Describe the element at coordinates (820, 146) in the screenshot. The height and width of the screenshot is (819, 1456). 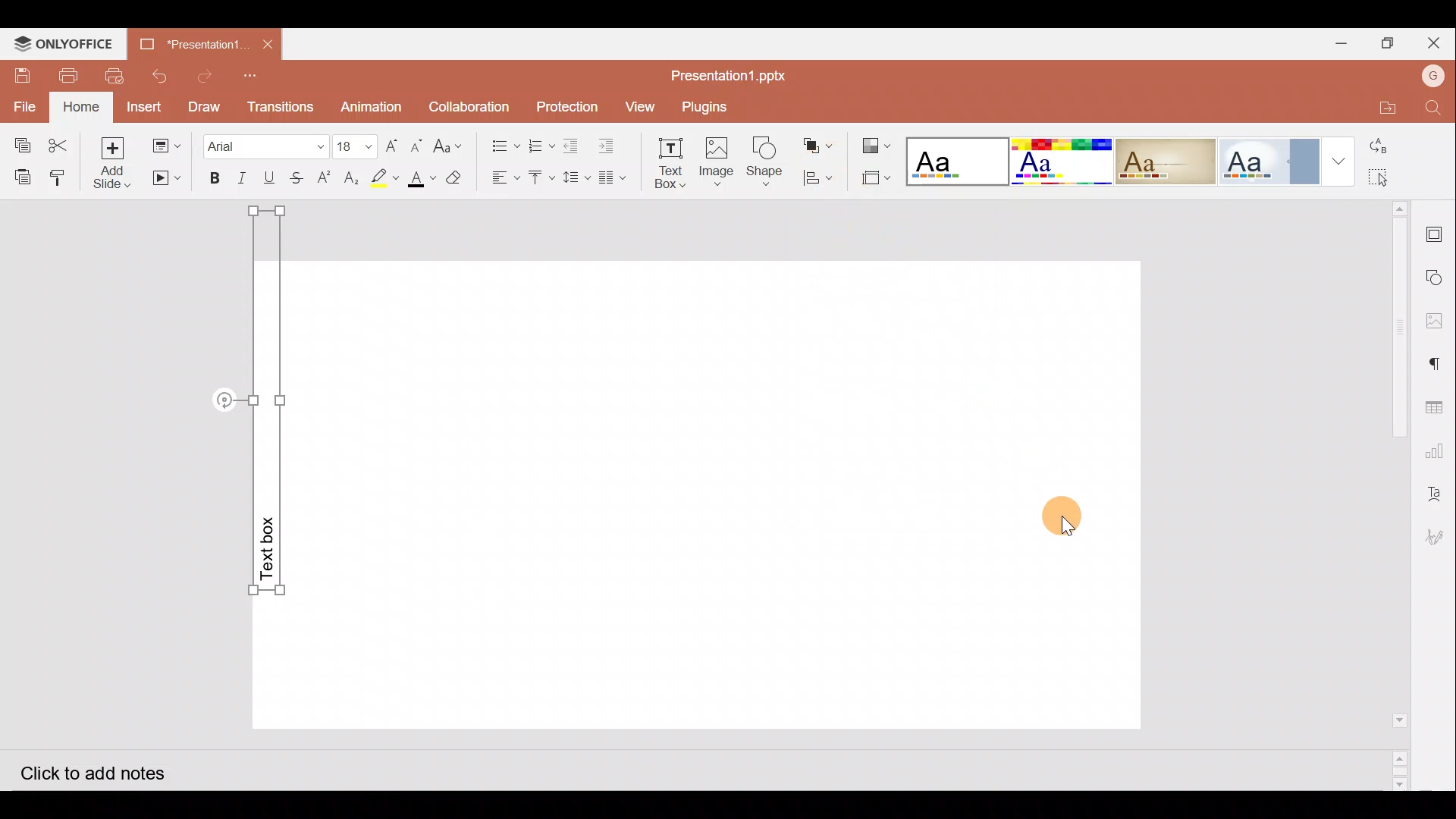
I see `Arrange shape` at that location.